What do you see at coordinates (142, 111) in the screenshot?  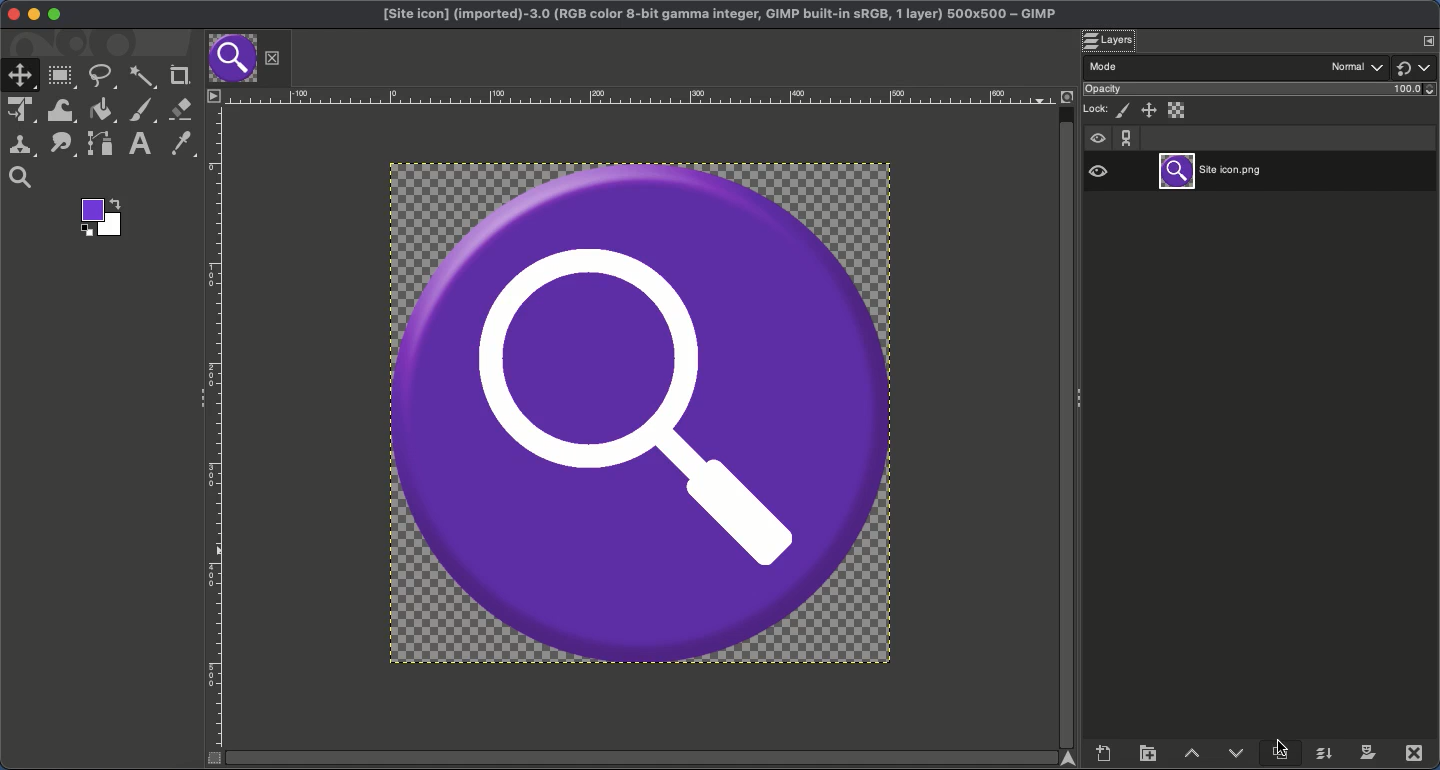 I see `Paint` at bounding box center [142, 111].